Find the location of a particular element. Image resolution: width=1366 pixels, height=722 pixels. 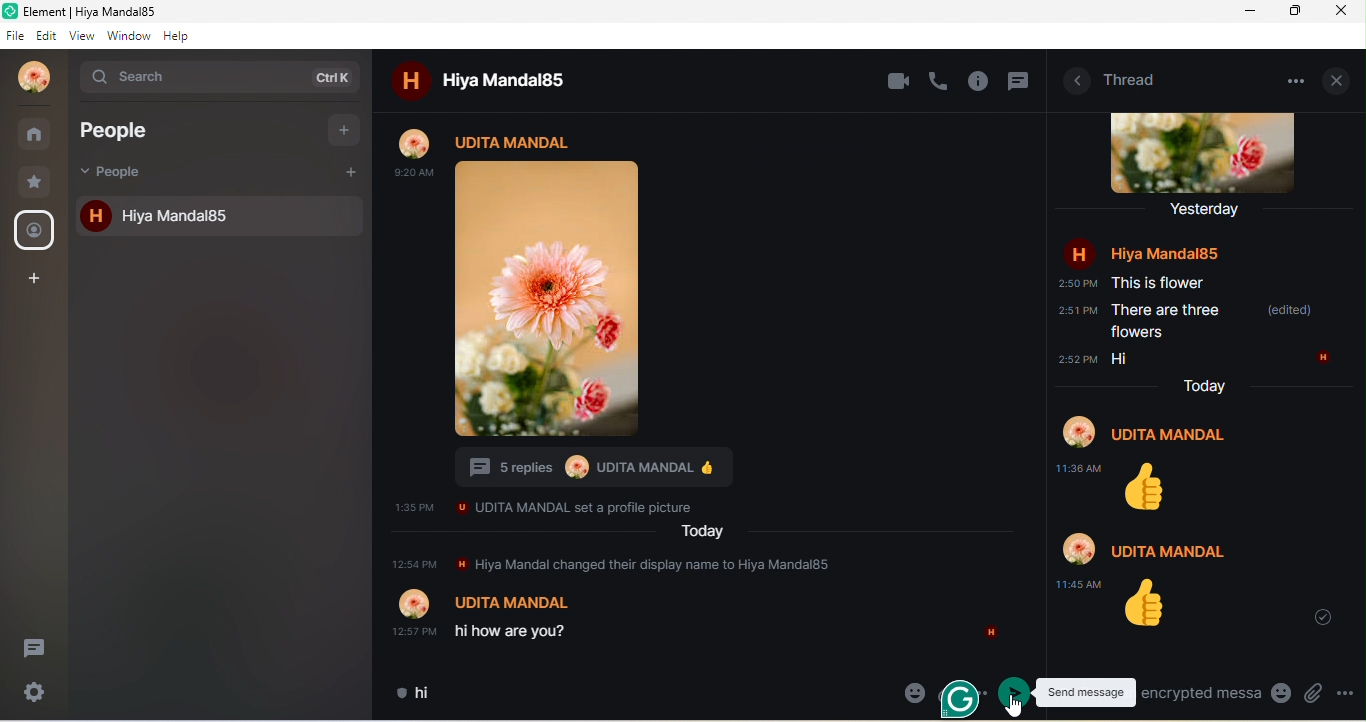

Profile picture is located at coordinates (1078, 547).